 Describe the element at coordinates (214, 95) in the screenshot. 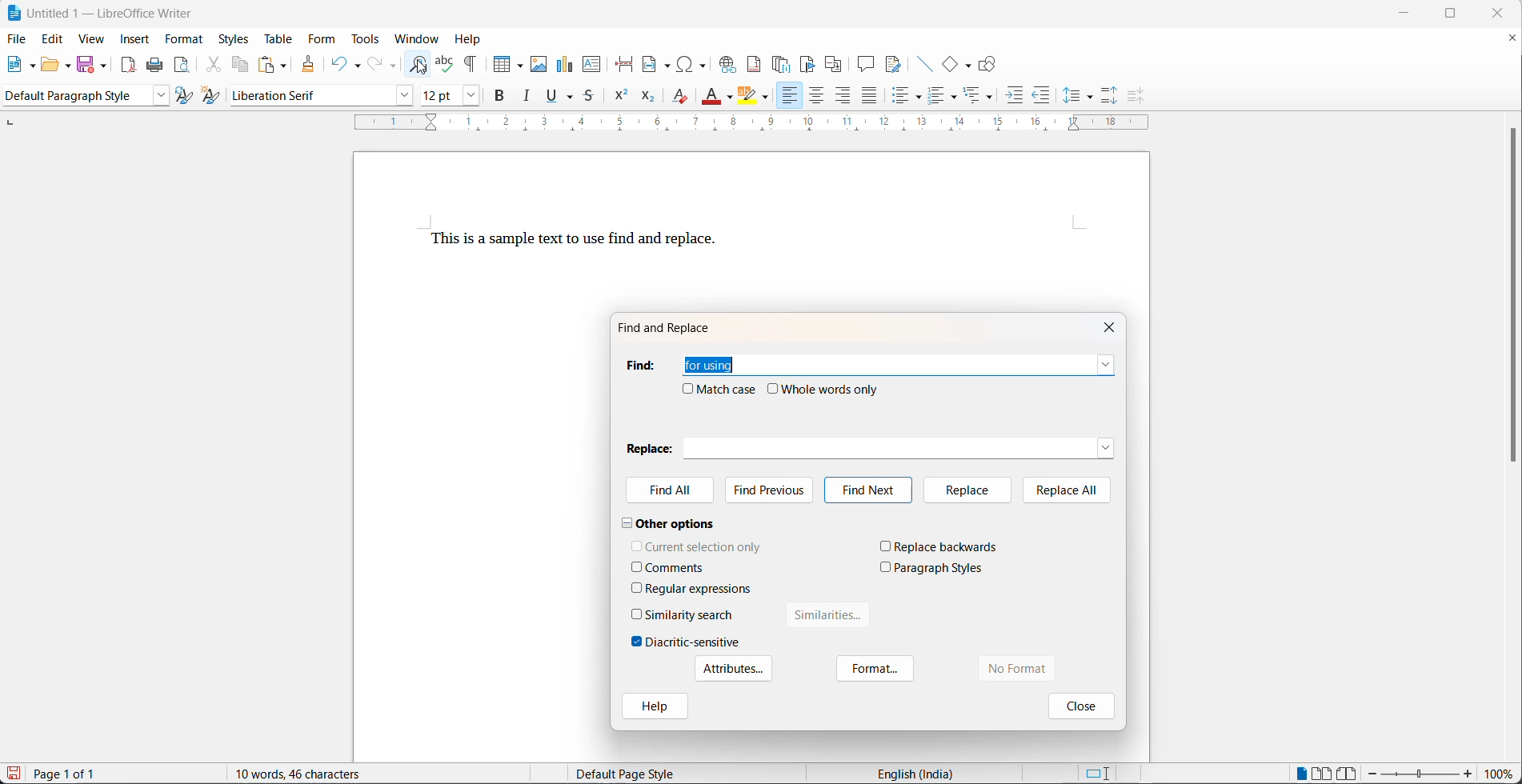

I see `create new style with selection` at that location.